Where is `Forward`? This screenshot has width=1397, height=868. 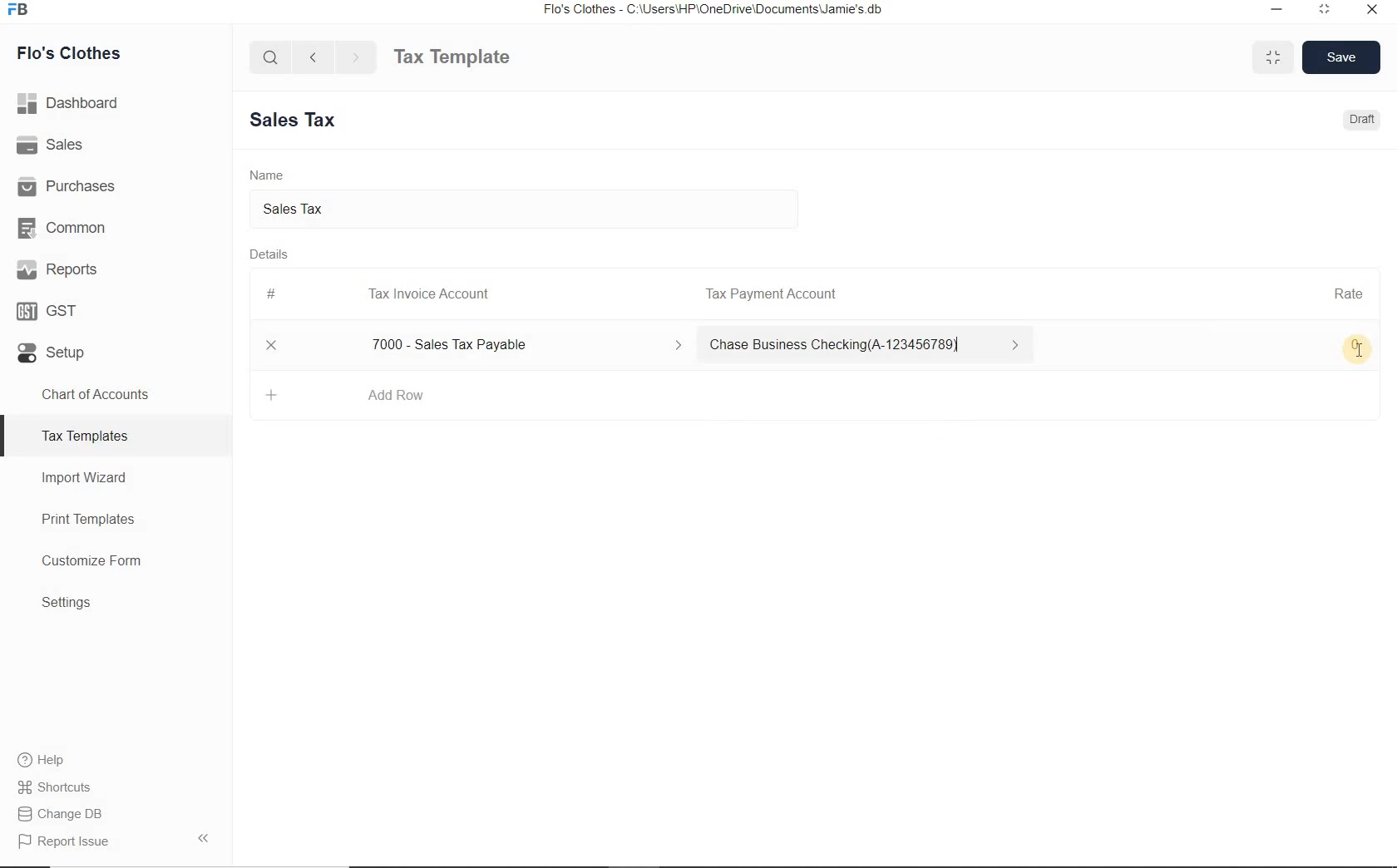 Forward is located at coordinates (357, 57).